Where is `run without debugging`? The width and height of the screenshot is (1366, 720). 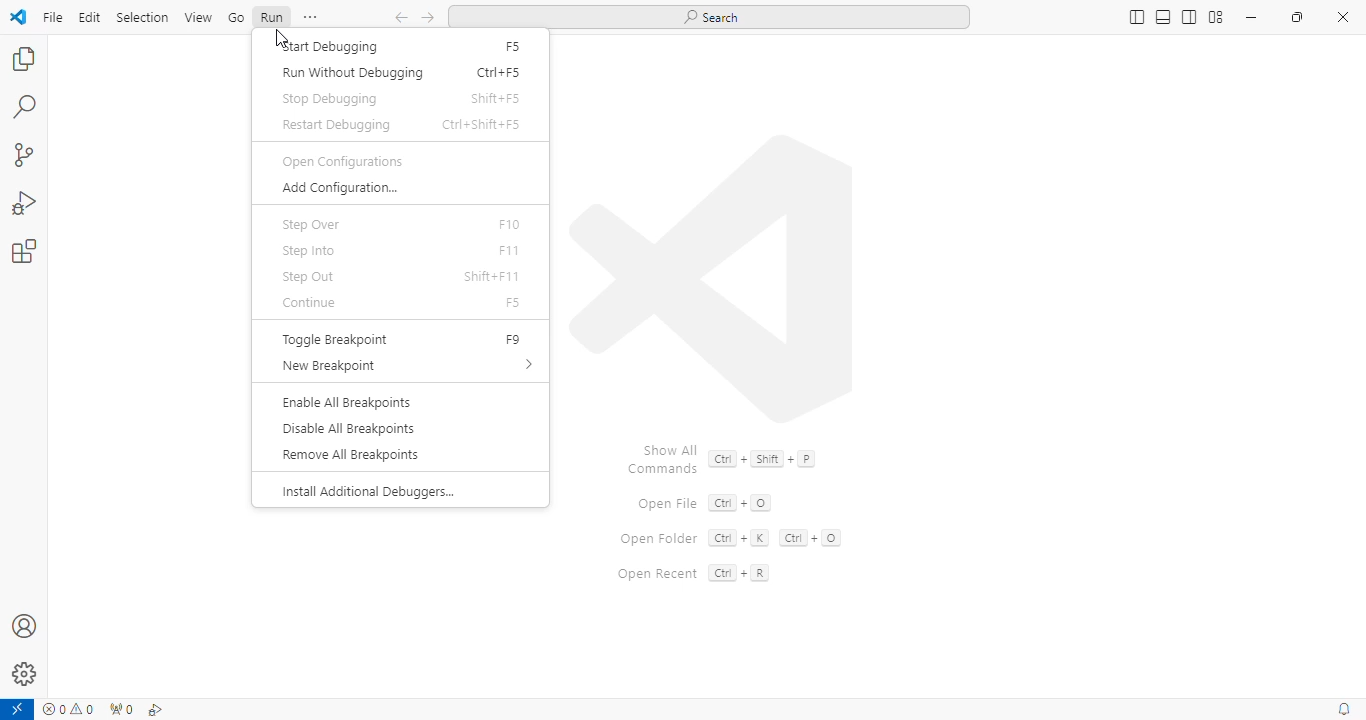 run without debugging is located at coordinates (352, 74).